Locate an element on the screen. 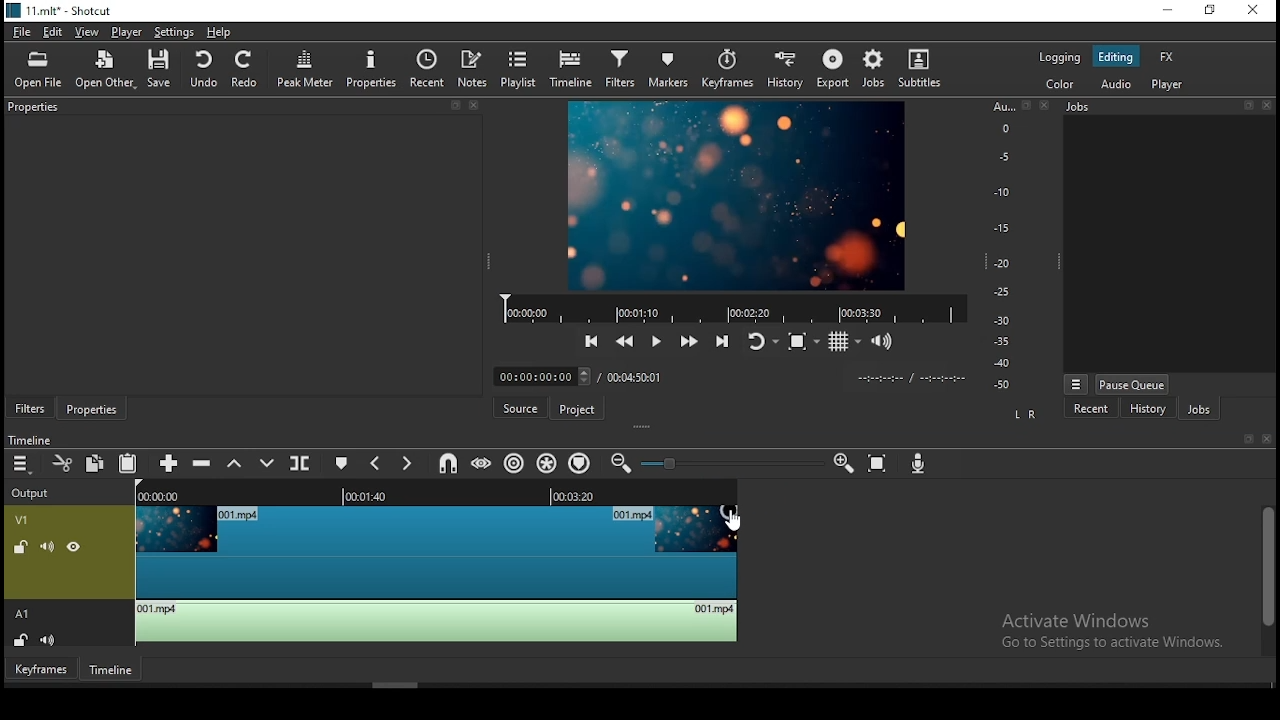 This screenshot has width=1280, height=720. logging is located at coordinates (1060, 55).